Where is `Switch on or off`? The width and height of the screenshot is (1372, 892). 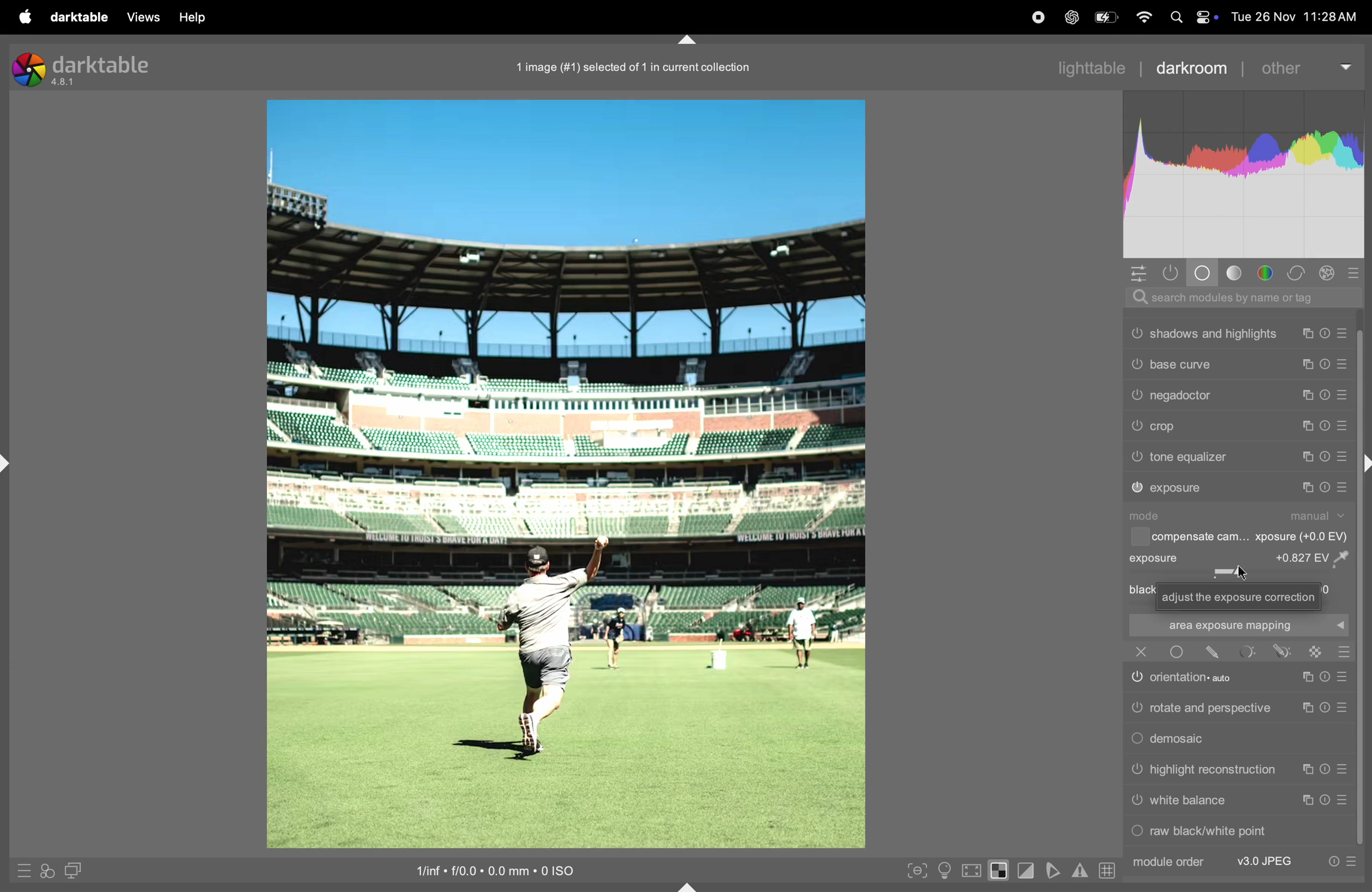 Switch on or off is located at coordinates (1136, 833).